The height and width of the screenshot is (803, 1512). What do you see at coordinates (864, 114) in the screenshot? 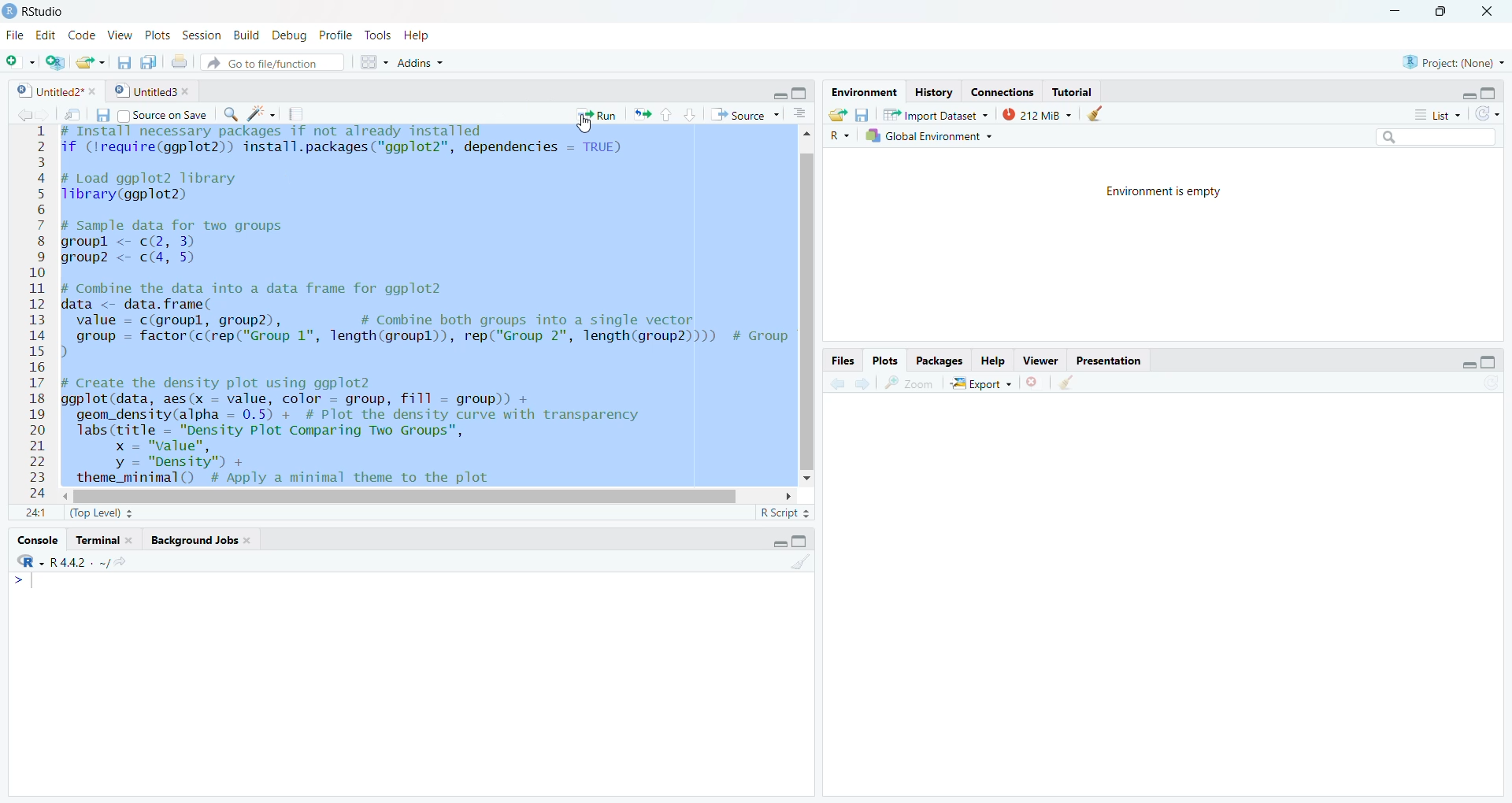
I see `save` at bounding box center [864, 114].